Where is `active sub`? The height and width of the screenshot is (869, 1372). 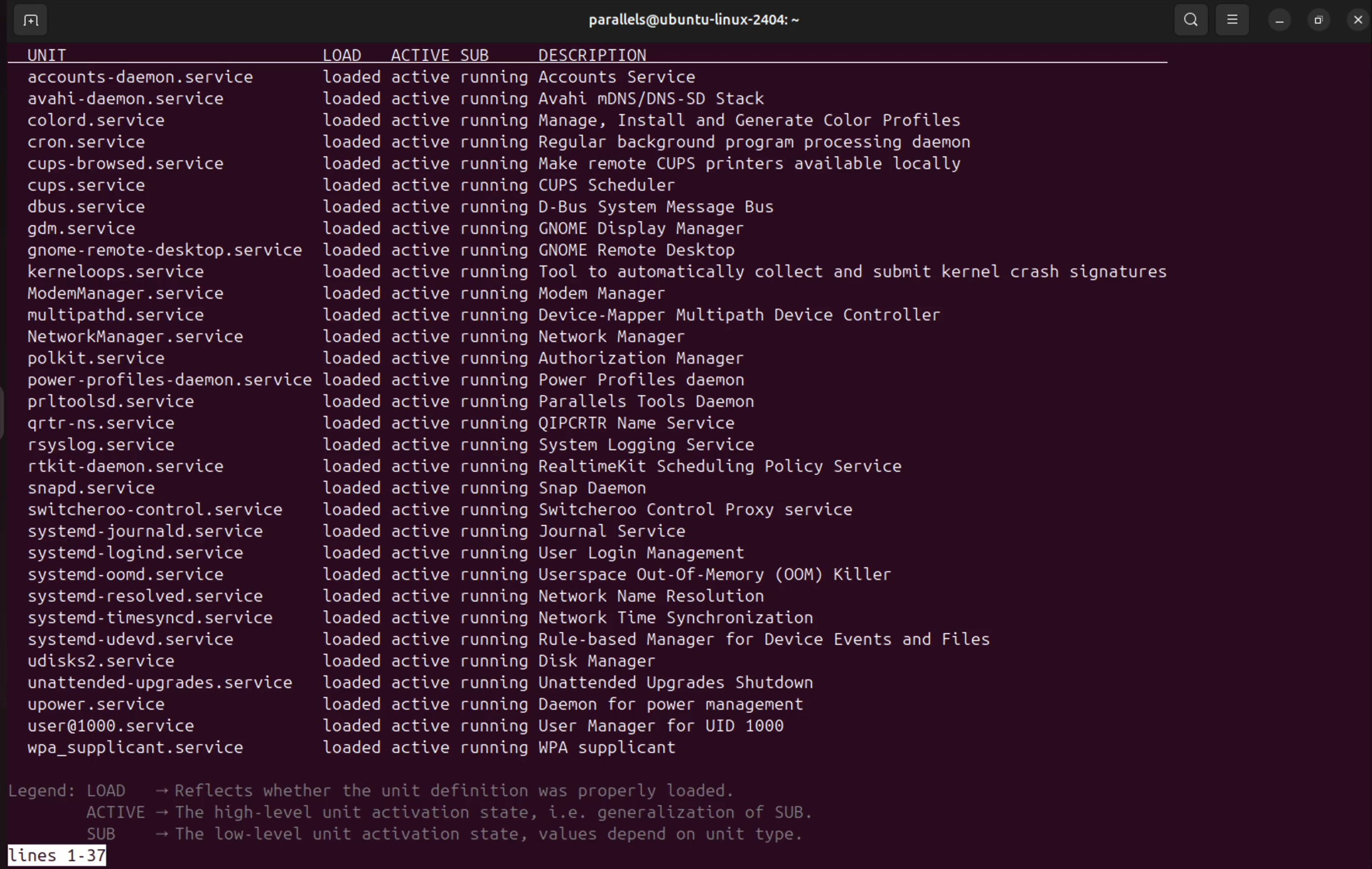
active sub is located at coordinates (446, 53).